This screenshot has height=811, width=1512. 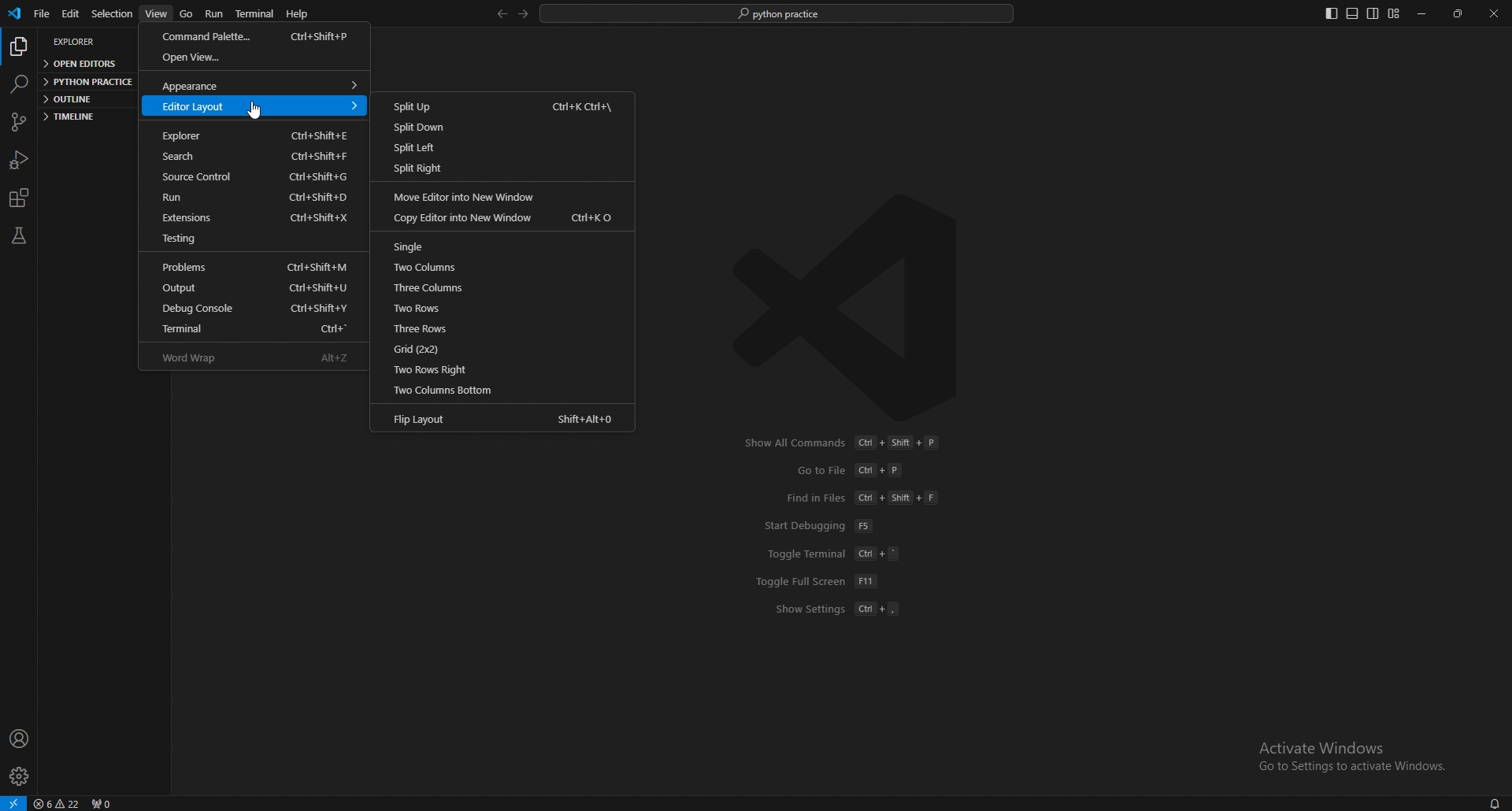 I want to click on explorer, so click(x=17, y=48).